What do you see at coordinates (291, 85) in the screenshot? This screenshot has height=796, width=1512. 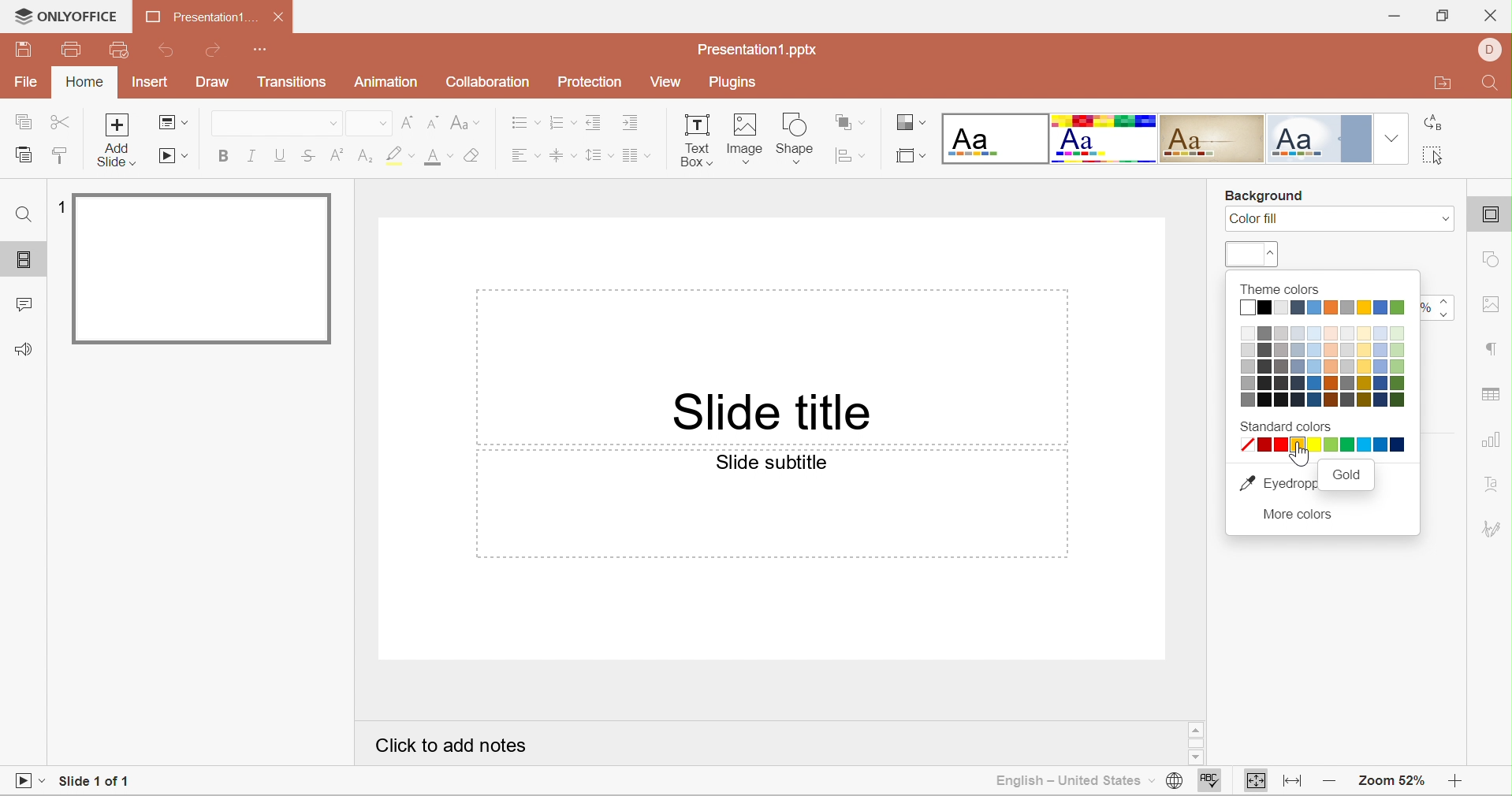 I see `Transitions` at bounding box center [291, 85].